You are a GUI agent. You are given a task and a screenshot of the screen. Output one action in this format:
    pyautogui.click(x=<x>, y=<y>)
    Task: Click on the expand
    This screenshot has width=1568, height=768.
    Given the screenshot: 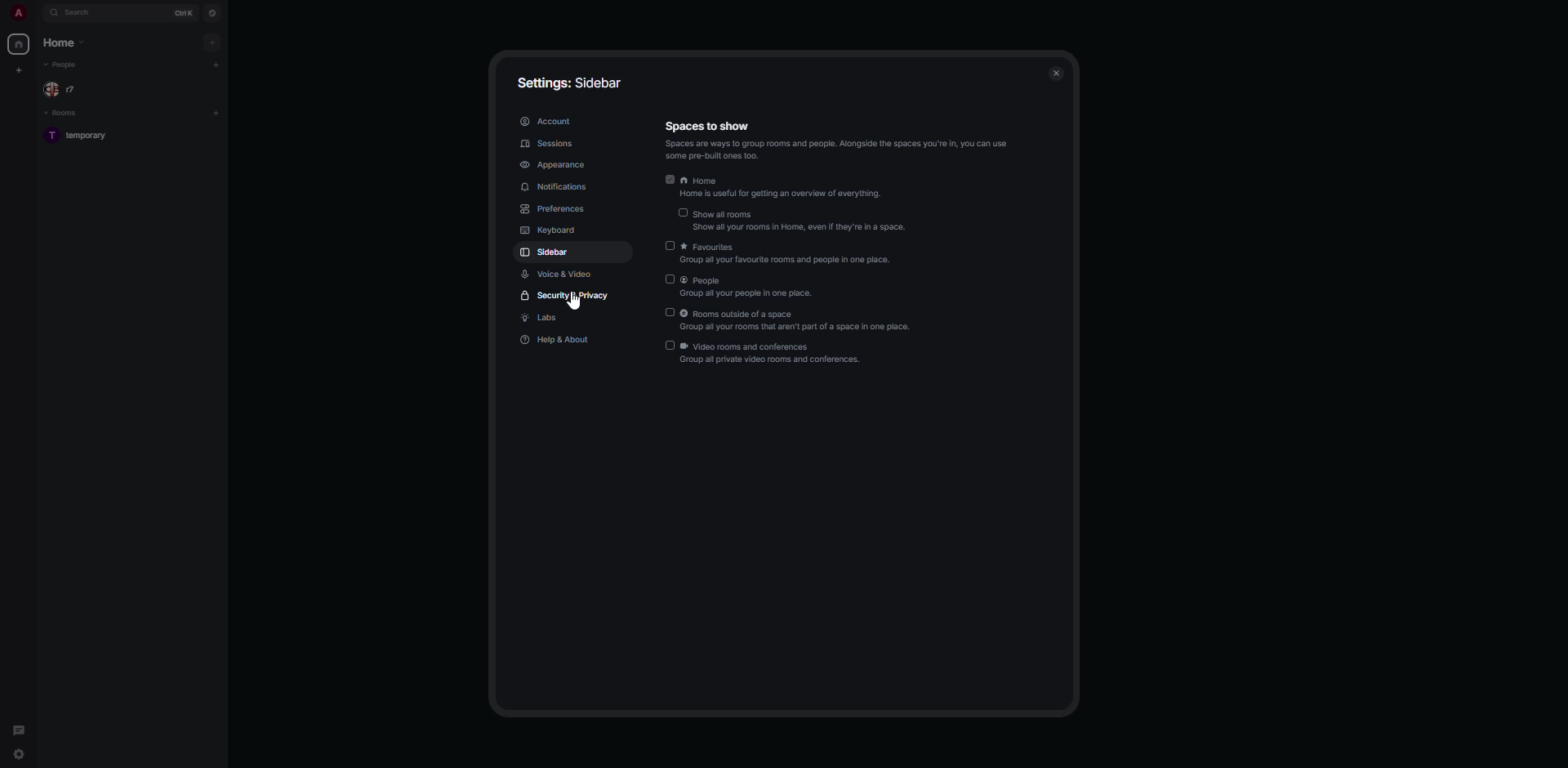 What is the action you would take?
    pyautogui.click(x=37, y=14)
    